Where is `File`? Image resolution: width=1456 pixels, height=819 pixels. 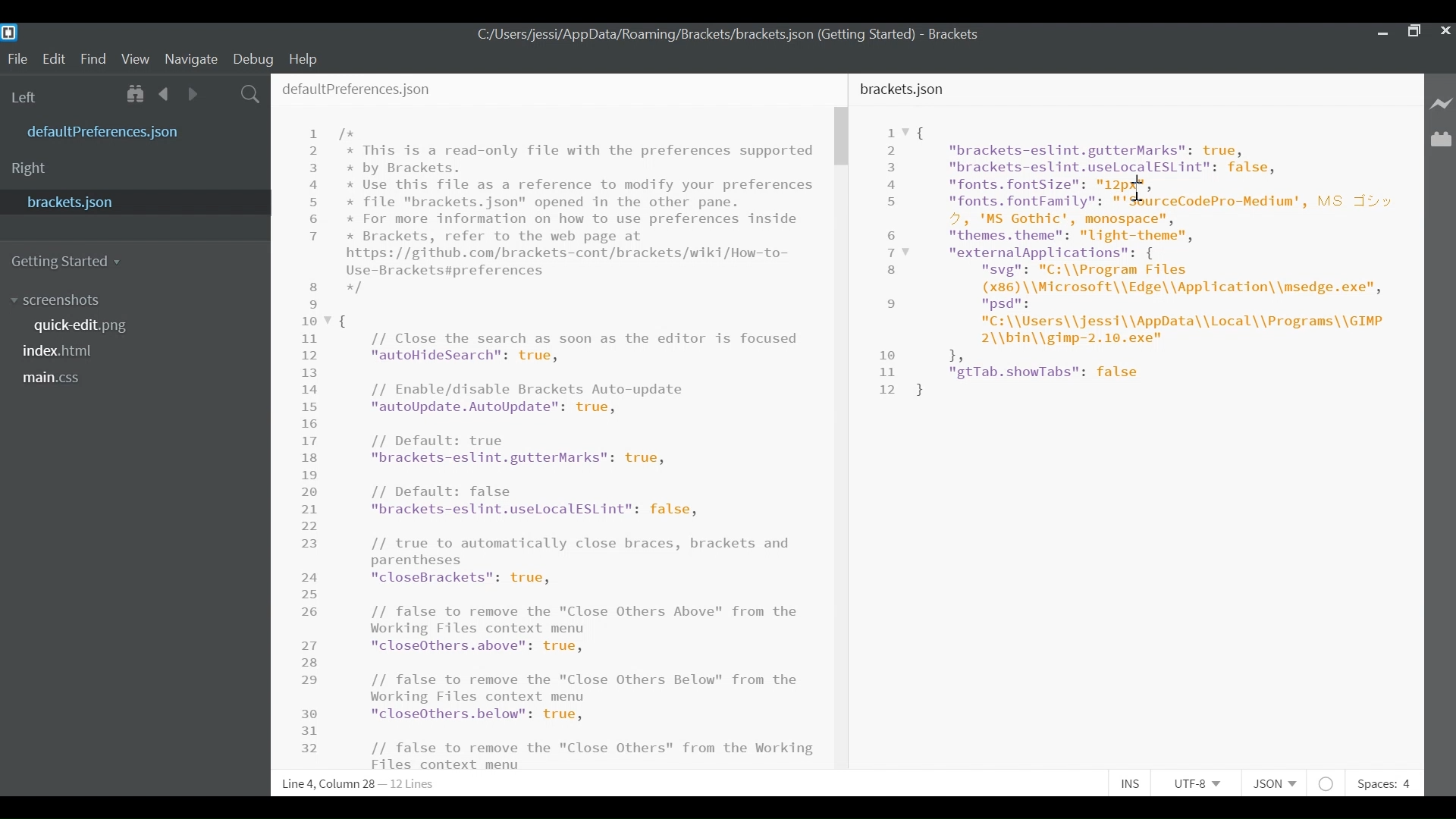
File is located at coordinates (17, 59).